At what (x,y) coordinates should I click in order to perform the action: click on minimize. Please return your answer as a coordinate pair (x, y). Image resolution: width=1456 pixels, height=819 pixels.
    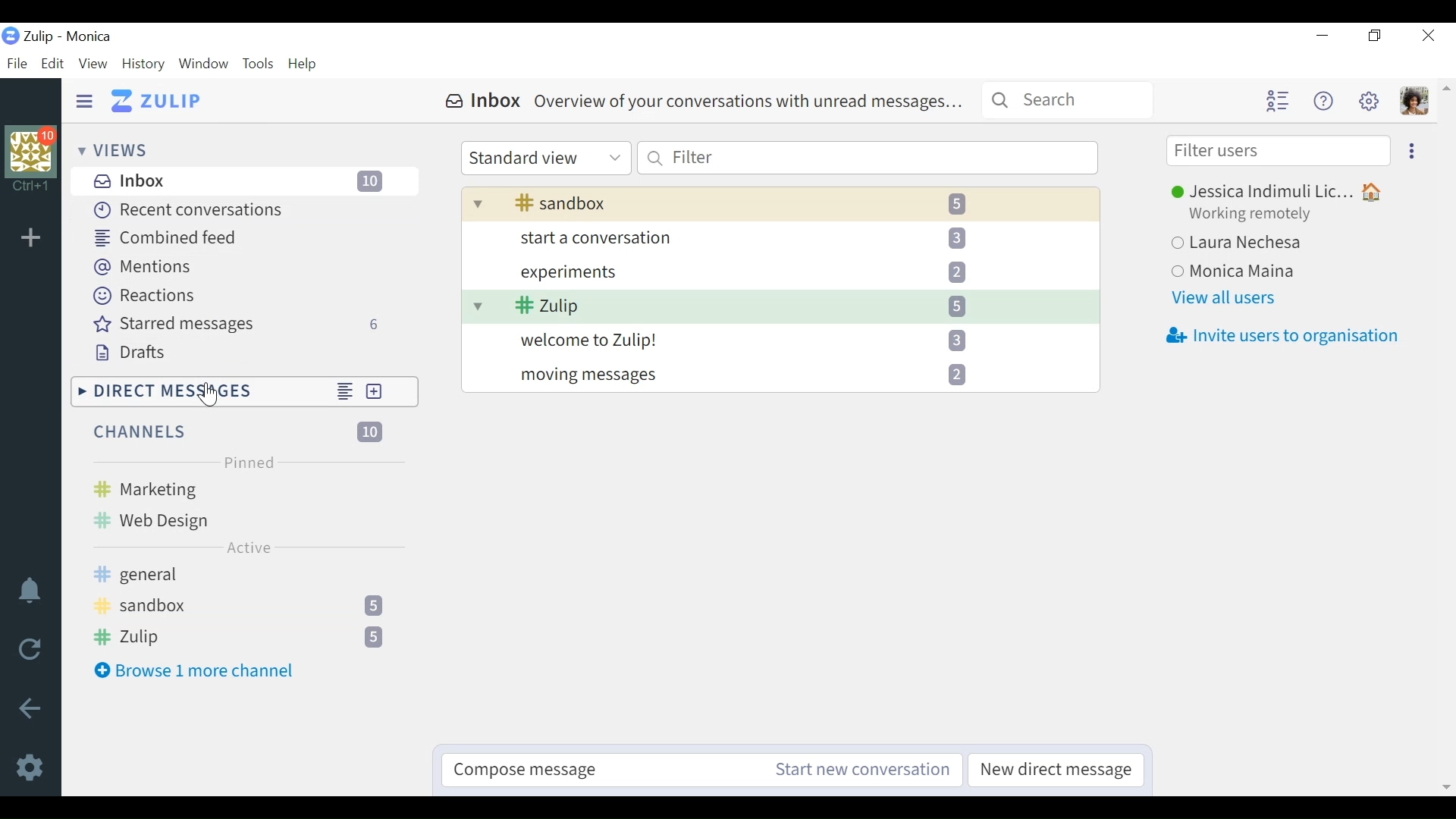
    Looking at the image, I should click on (1323, 36).